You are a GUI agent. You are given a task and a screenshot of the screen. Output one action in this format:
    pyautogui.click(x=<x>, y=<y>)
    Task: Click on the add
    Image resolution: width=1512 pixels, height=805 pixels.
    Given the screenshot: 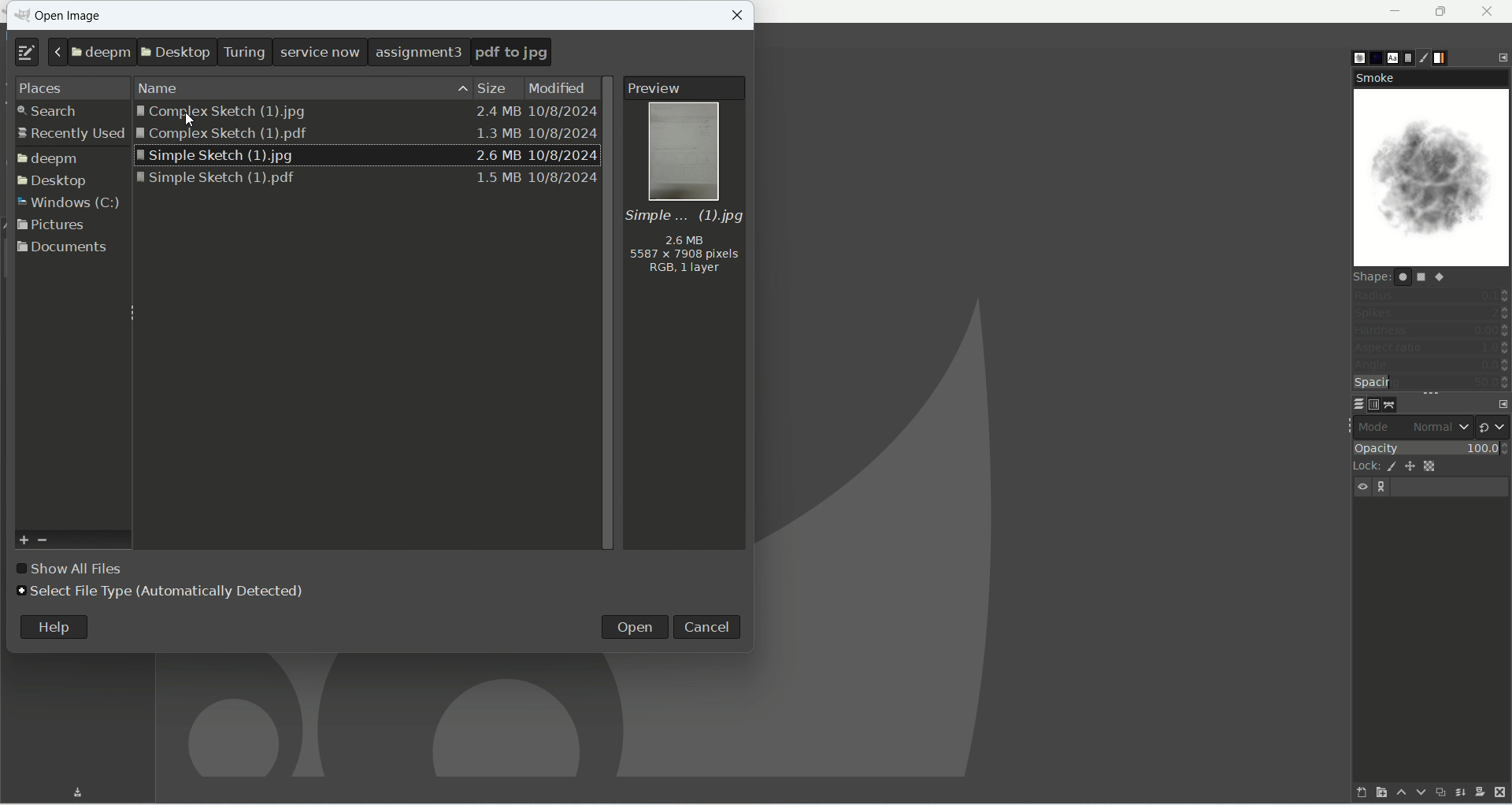 What is the action you would take?
    pyautogui.click(x=22, y=538)
    